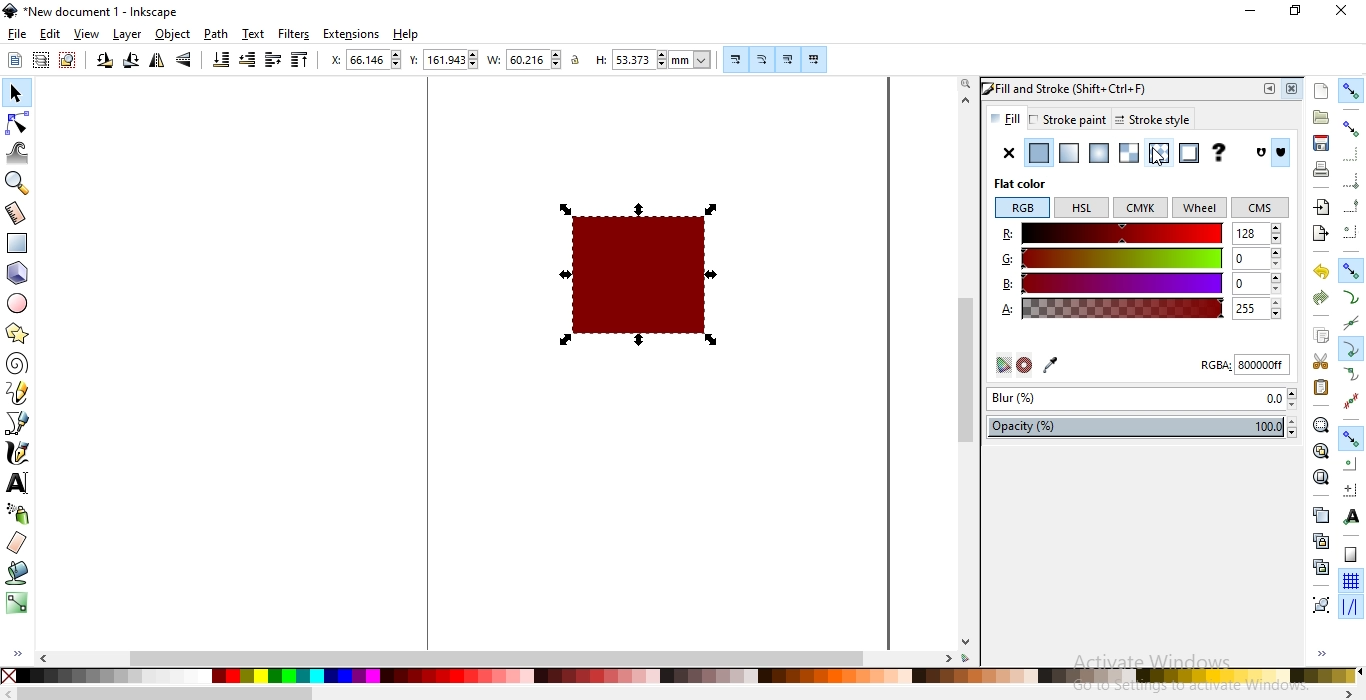 The width and height of the screenshot is (1366, 700). What do you see at coordinates (1320, 336) in the screenshot?
I see `copy selection to clipboard` at bounding box center [1320, 336].